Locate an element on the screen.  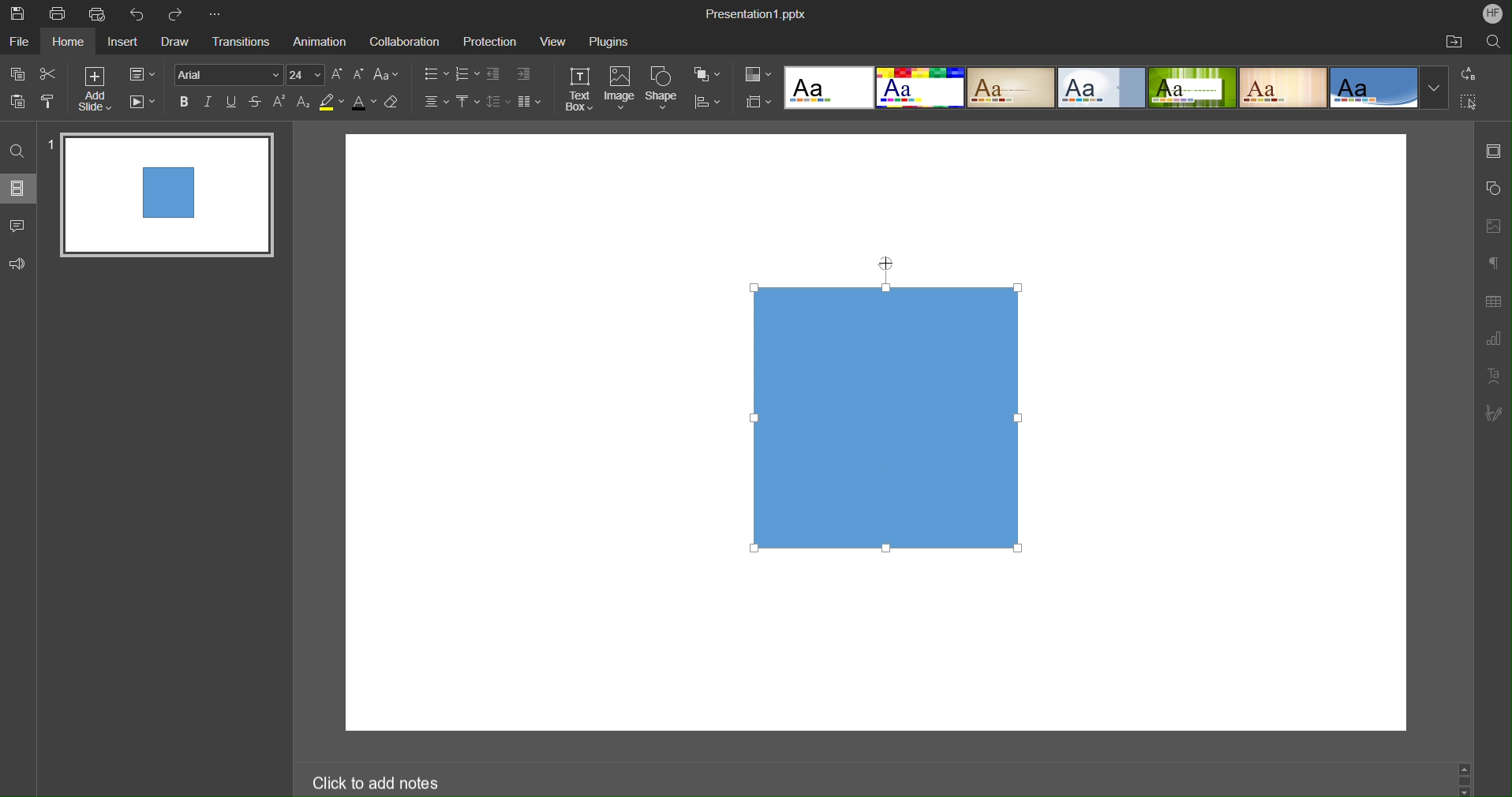
Undo is located at coordinates (137, 11).